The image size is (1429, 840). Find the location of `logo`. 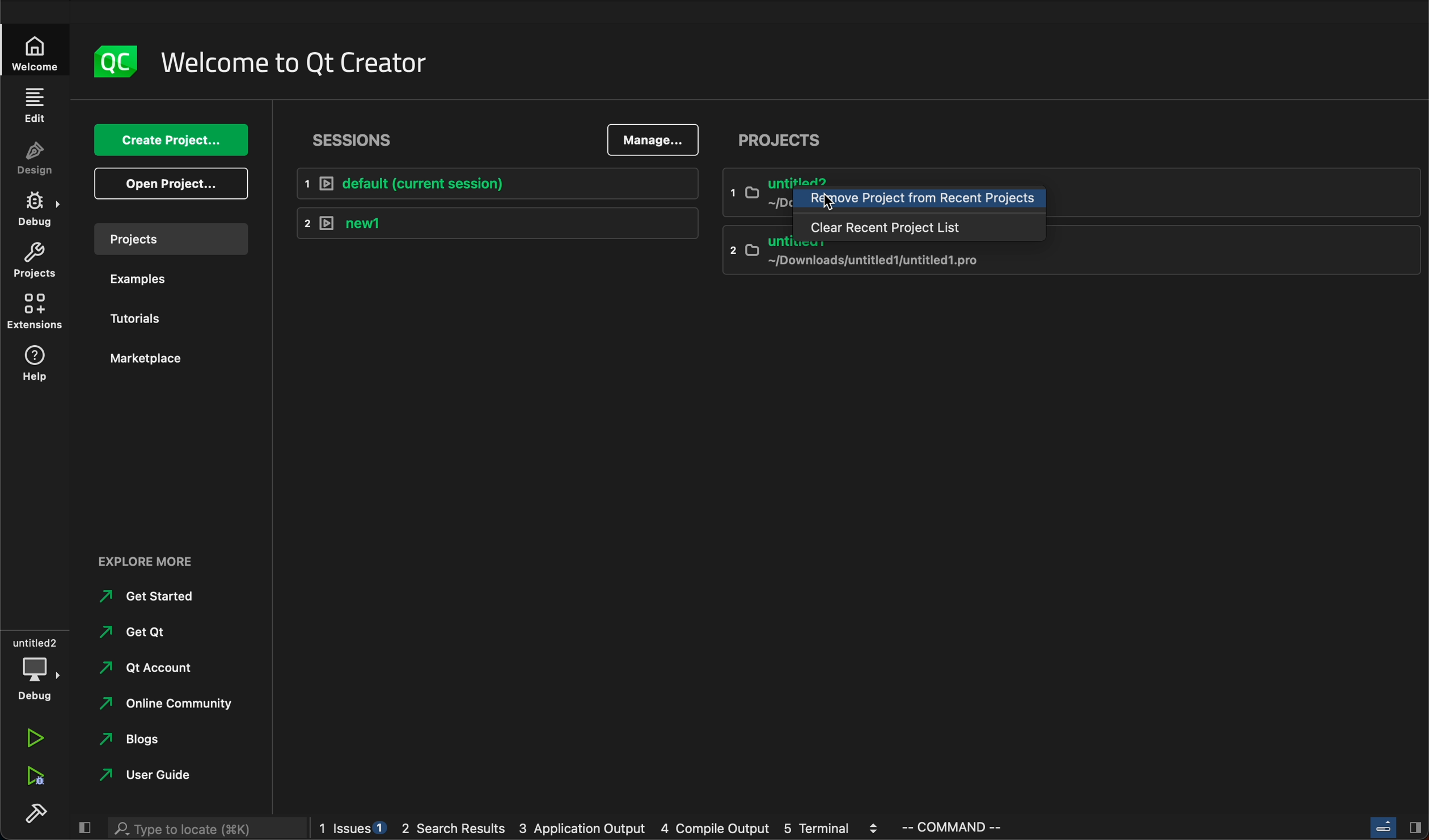

logo is located at coordinates (110, 62).